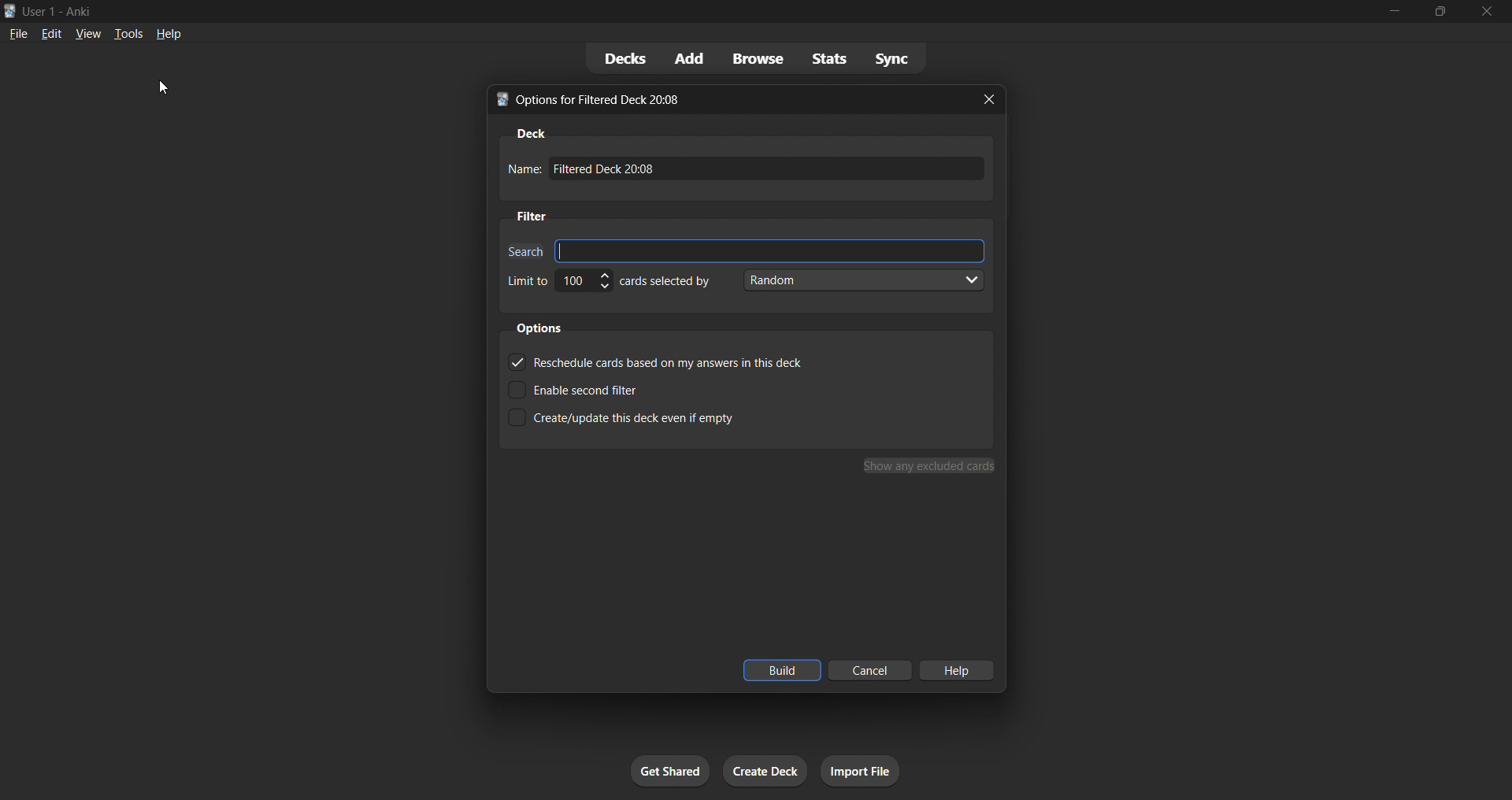 Image resolution: width=1512 pixels, height=800 pixels. I want to click on close, so click(1487, 11).